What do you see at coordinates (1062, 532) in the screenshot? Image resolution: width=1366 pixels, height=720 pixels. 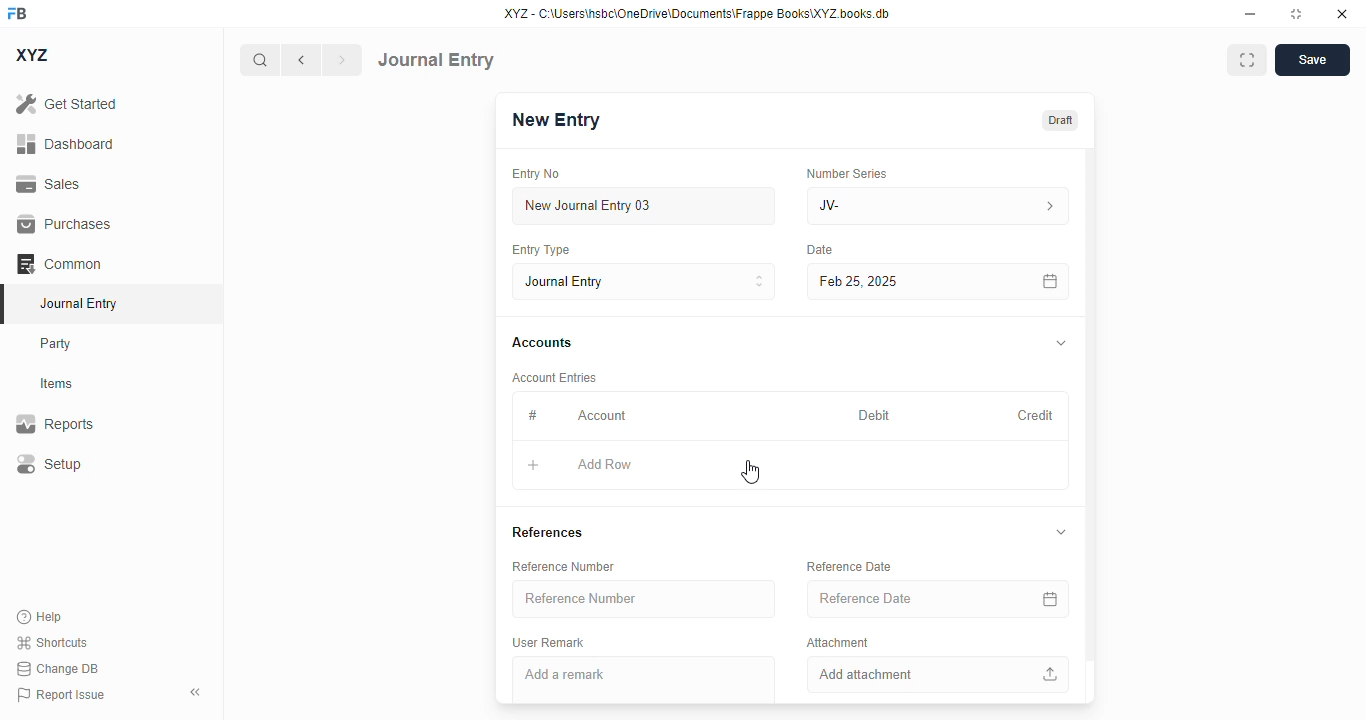 I see `toggle expand/collapse` at bounding box center [1062, 532].